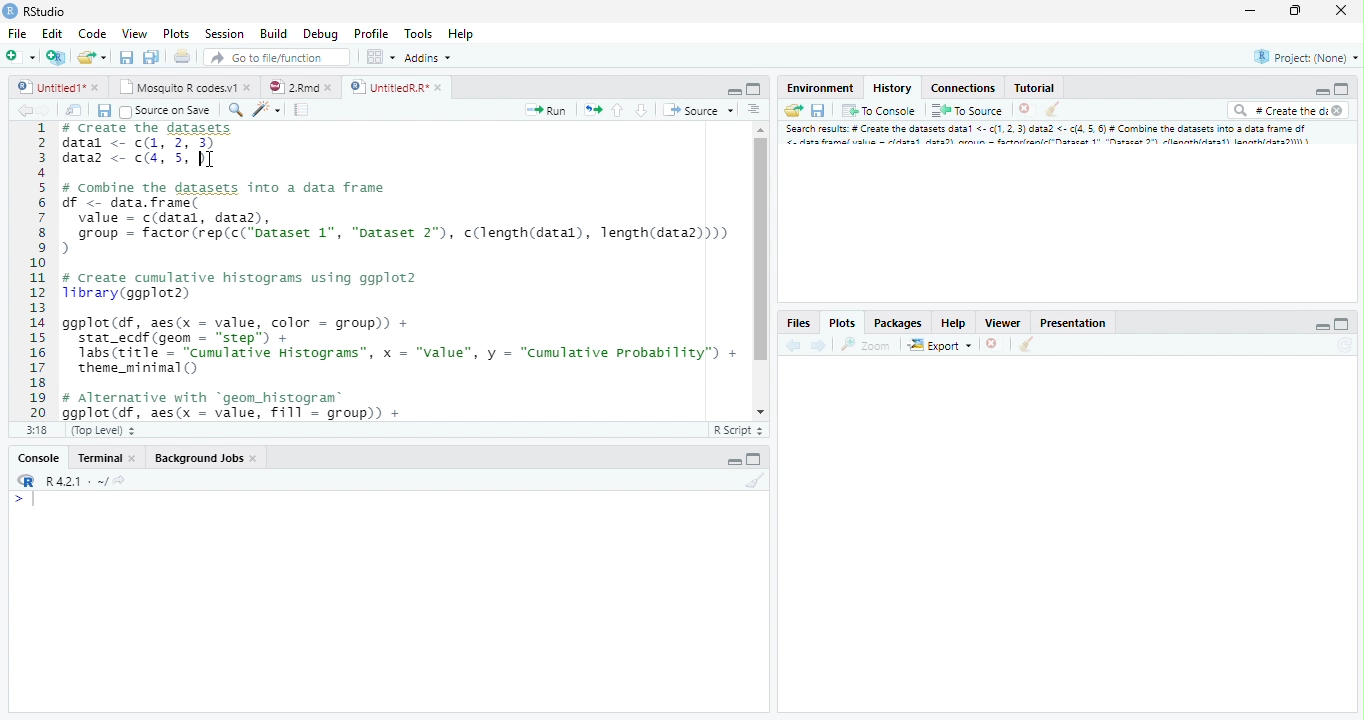 This screenshot has height=720, width=1364. I want to click on Code, so click(91, 35).